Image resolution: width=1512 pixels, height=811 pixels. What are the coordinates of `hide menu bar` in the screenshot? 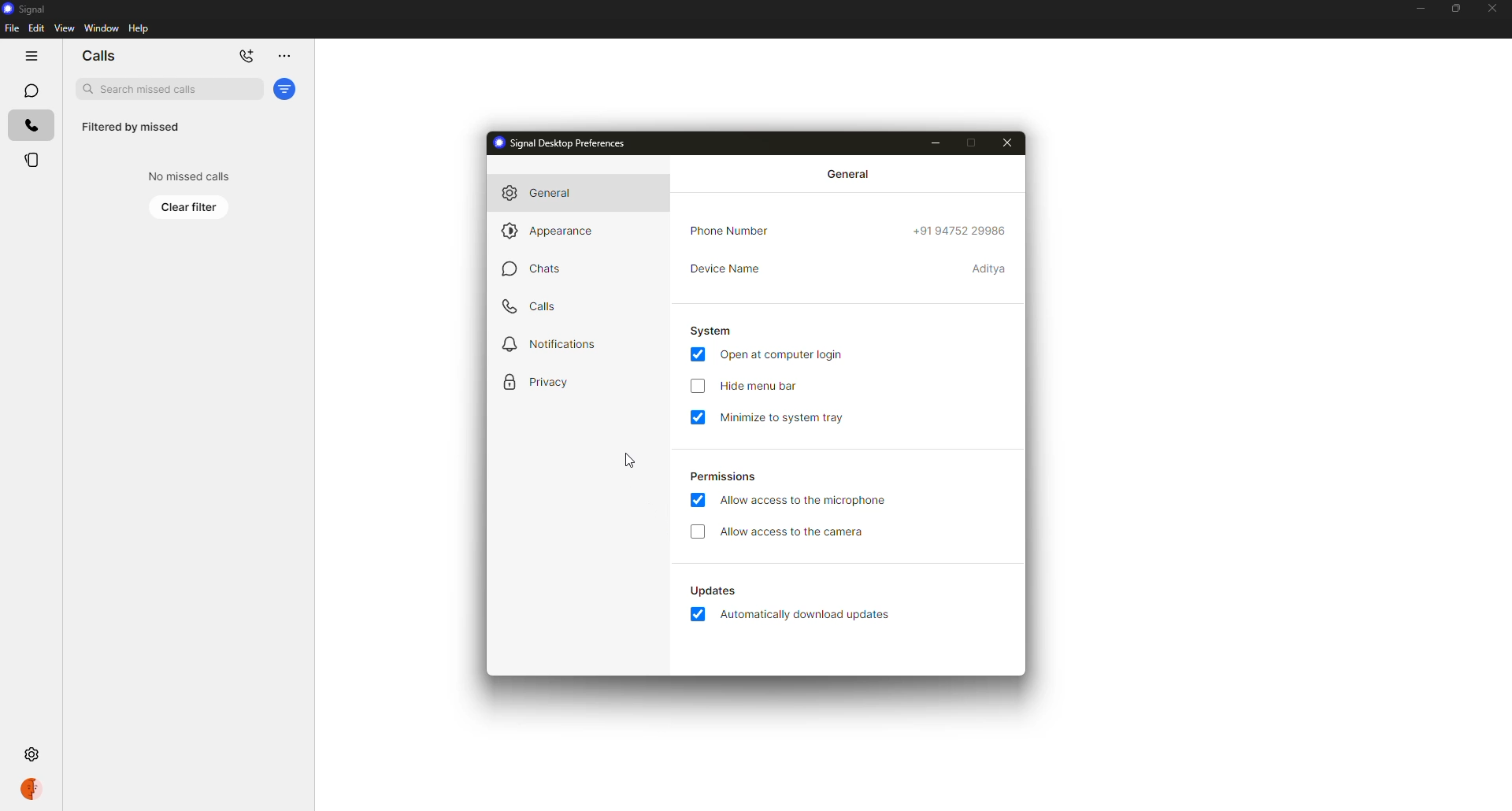 It's located at (763, 386).